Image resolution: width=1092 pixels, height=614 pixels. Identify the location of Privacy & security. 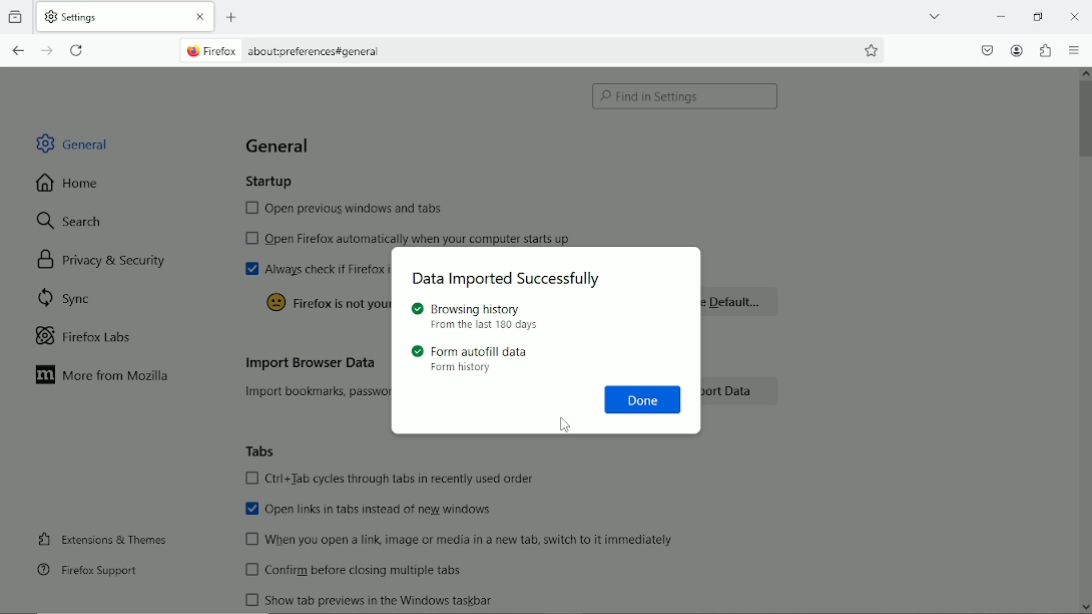
(108, 259).